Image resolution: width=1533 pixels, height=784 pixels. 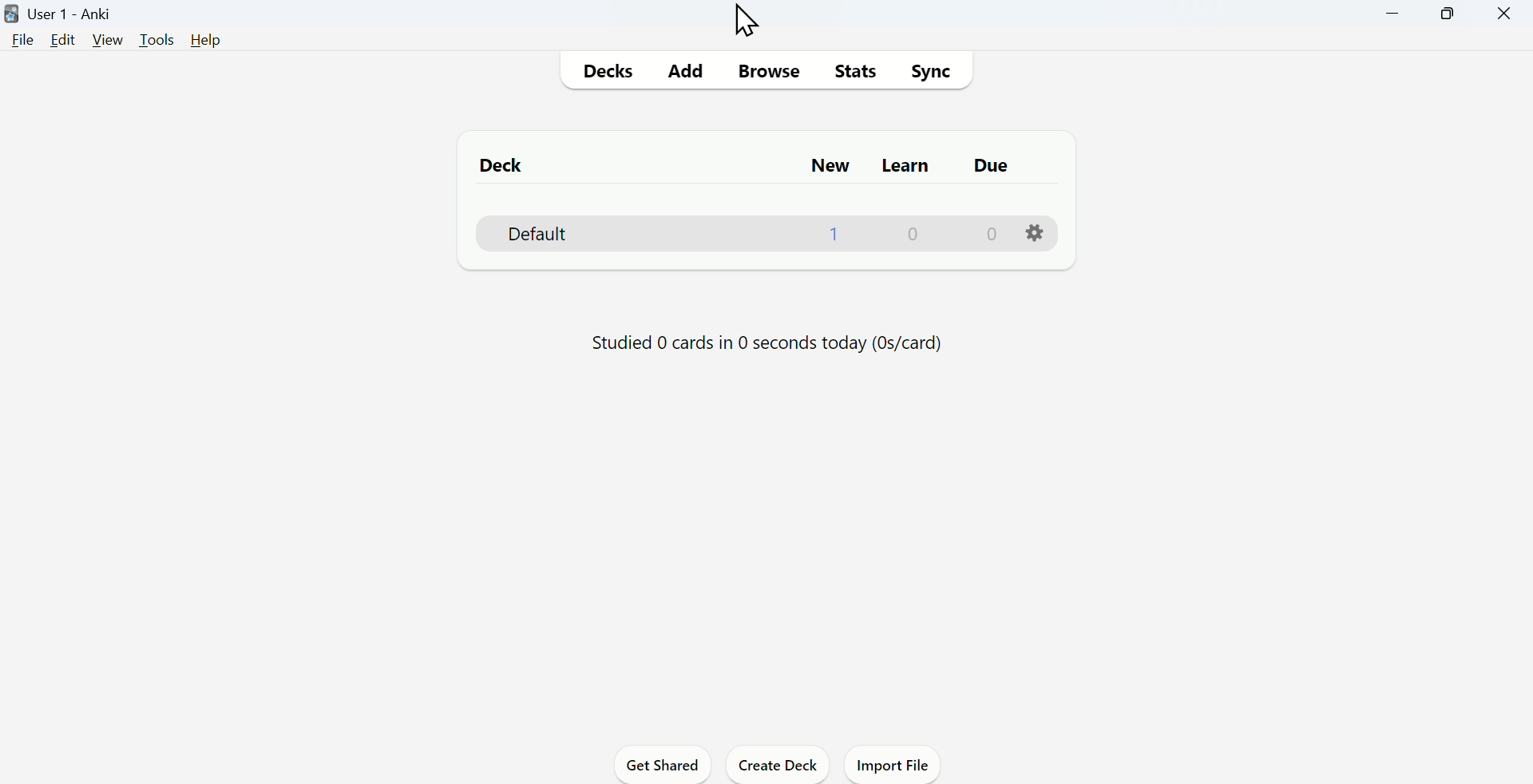 What do you see at coordinates (529, 233) in the screenshot?
I see `Deck` at bounding box center [529, 233].